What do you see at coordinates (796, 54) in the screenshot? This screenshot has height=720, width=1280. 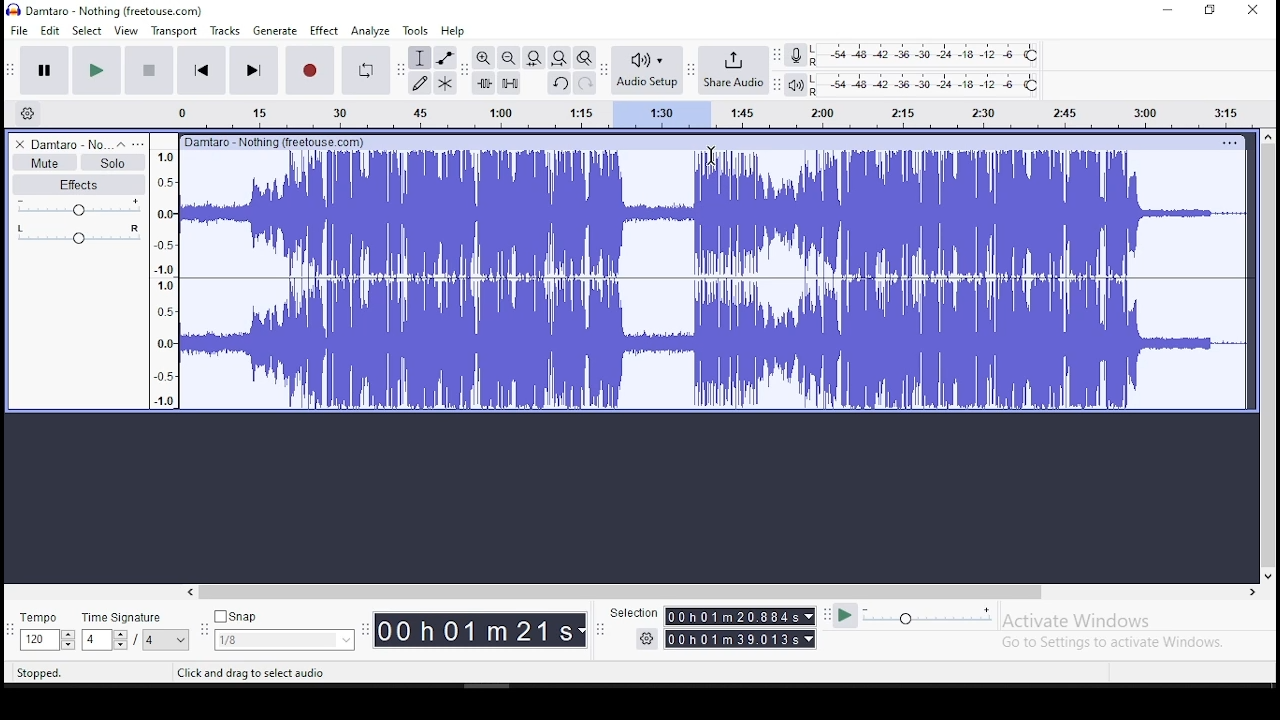 I see `record meter` at bounding box center [796, 54].